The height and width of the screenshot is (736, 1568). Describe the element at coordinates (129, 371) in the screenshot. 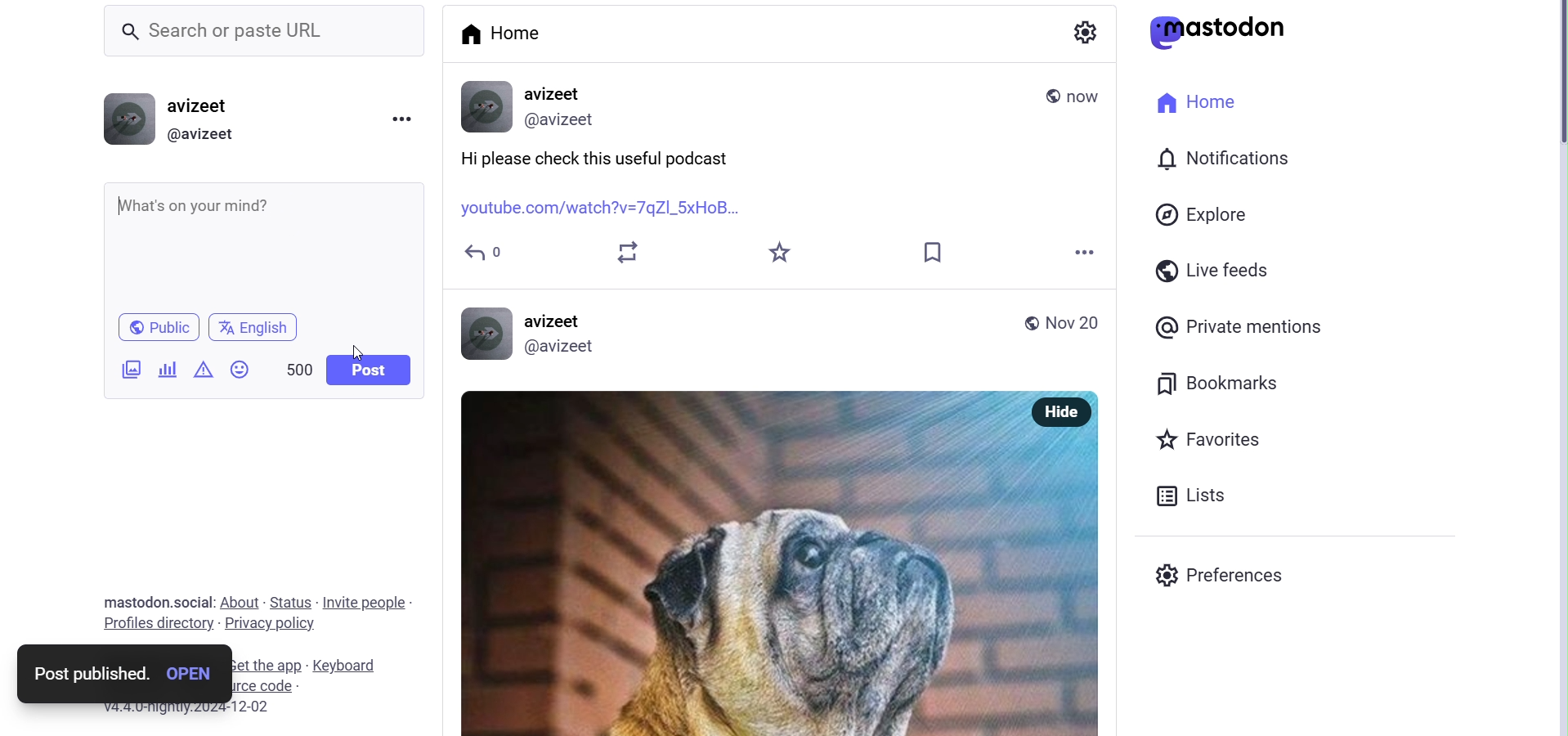

I see `add images` at that location.